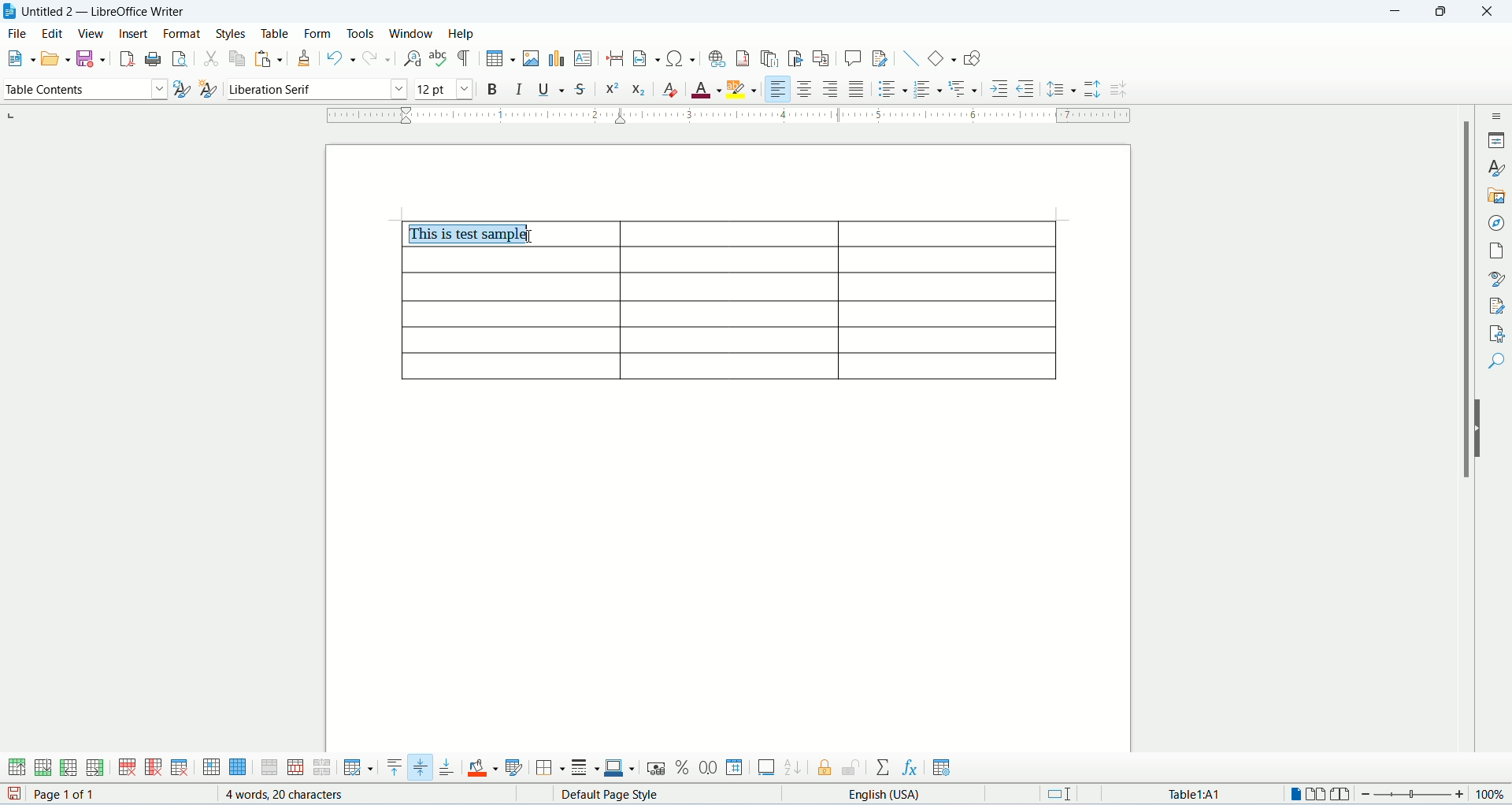 Image resolution: width=1512 pixels, height=805 pixels. What do you see at coordinates (1480, 428) in the screenshot?
I see `hide` at bounding box center [1480, 428].